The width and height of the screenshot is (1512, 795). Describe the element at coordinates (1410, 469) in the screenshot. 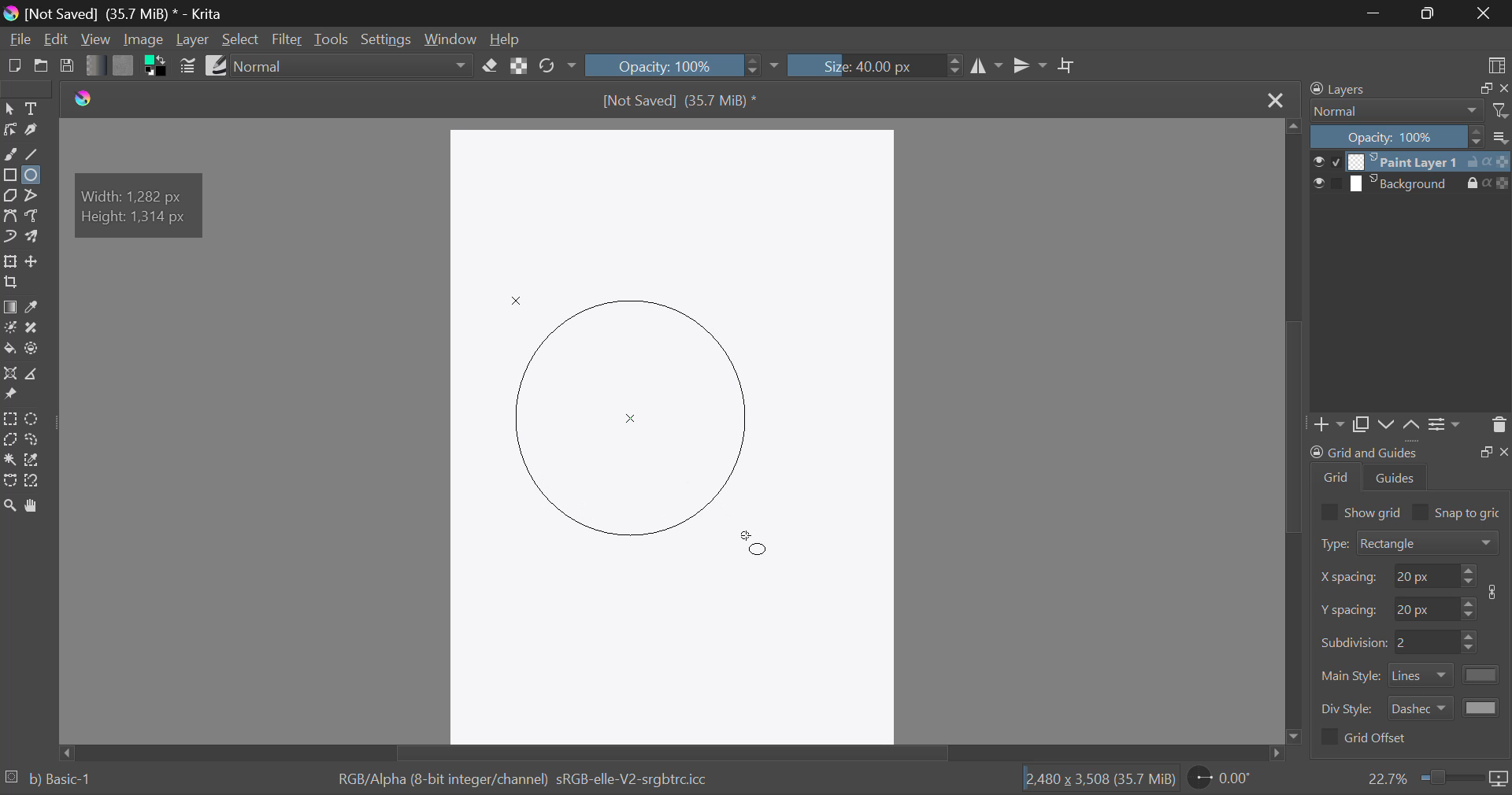

I see `Grid and Guides Docker Tab` at that location.